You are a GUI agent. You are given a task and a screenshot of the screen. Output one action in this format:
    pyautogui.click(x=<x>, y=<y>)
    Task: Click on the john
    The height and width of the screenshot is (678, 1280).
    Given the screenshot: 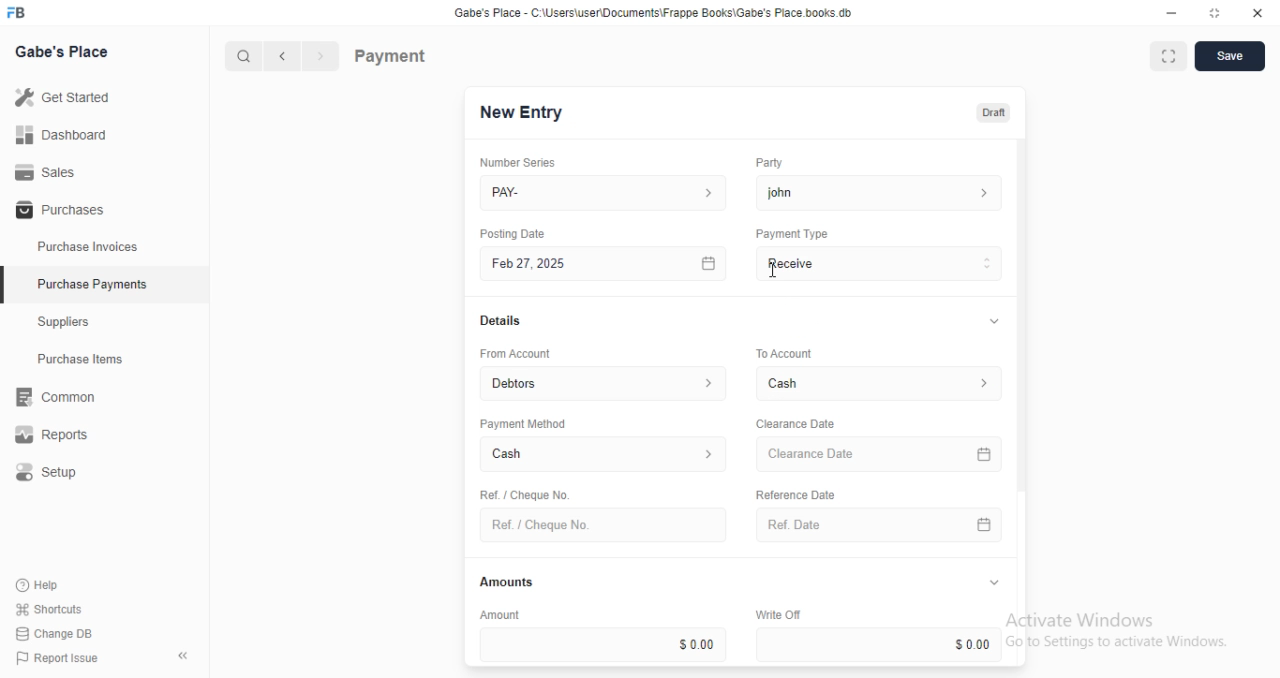 What is the action you would take?
    pyautogui.click(x=879, y=192)
    